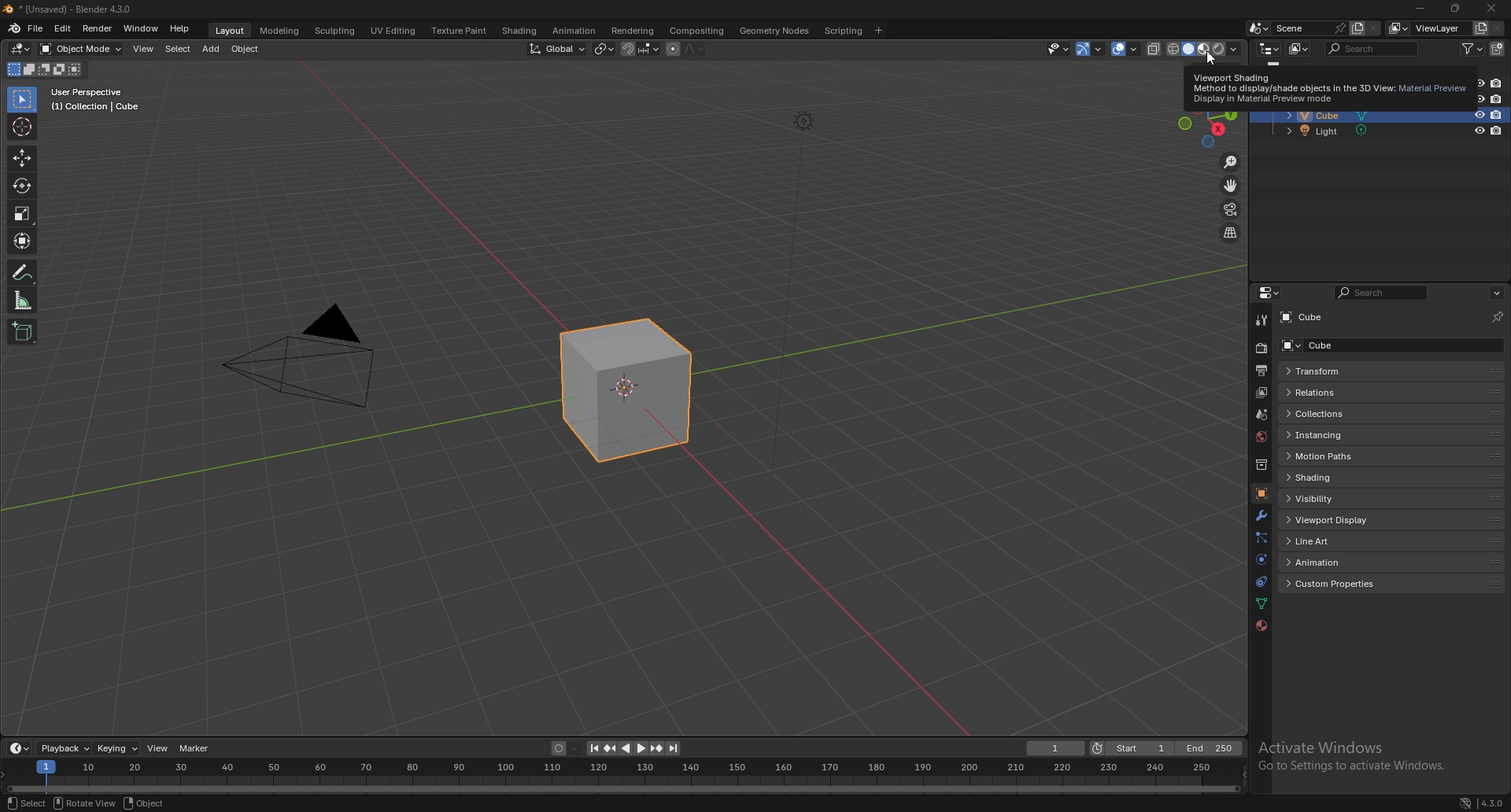 This screenshot has height=812, width=1511. Describe the element at coordinates (605, 50) in the screenshot. I see `transform pivot point` at that location.